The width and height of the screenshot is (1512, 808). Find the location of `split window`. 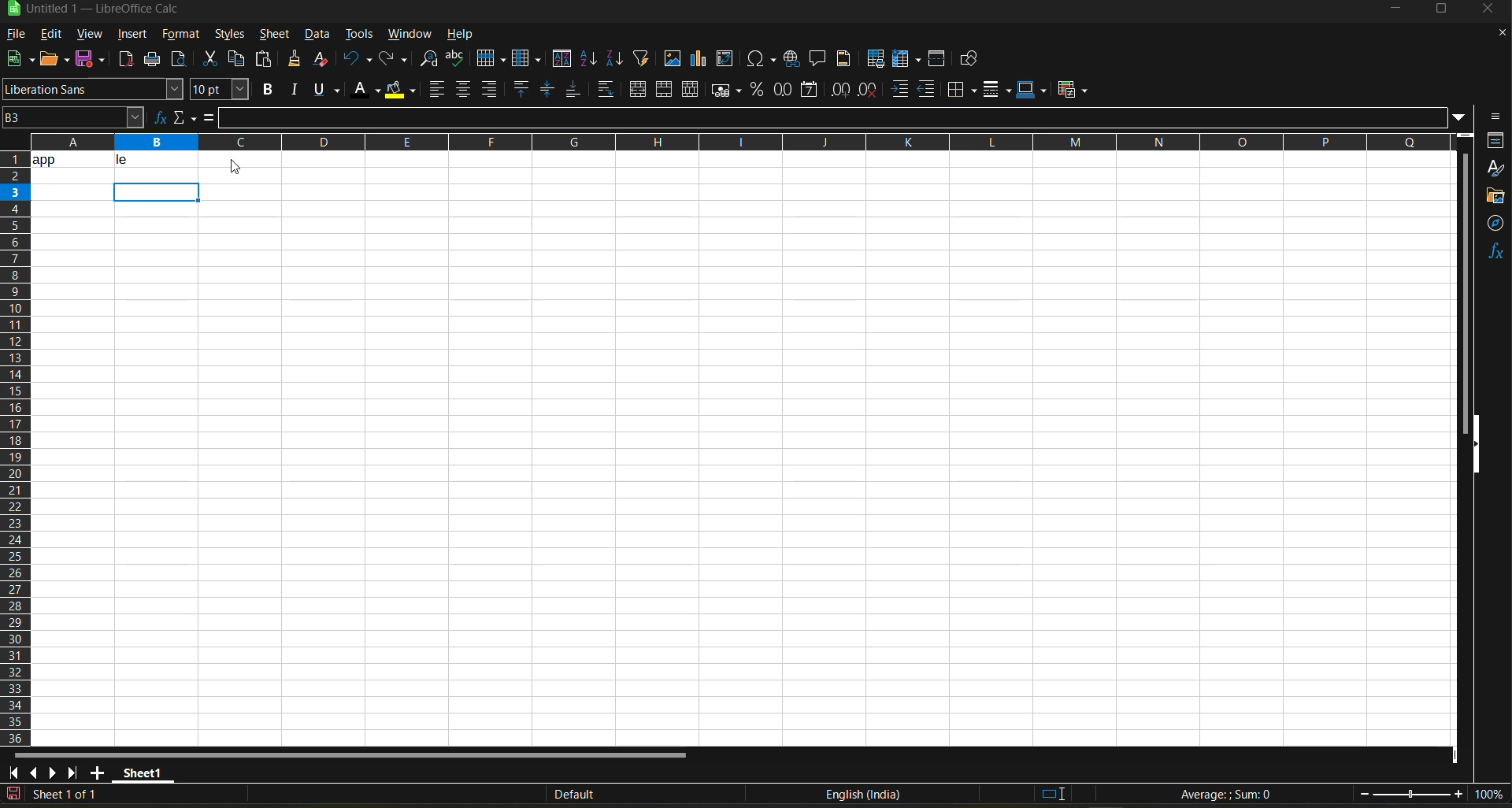

split window is located at coordinates (939, 60).